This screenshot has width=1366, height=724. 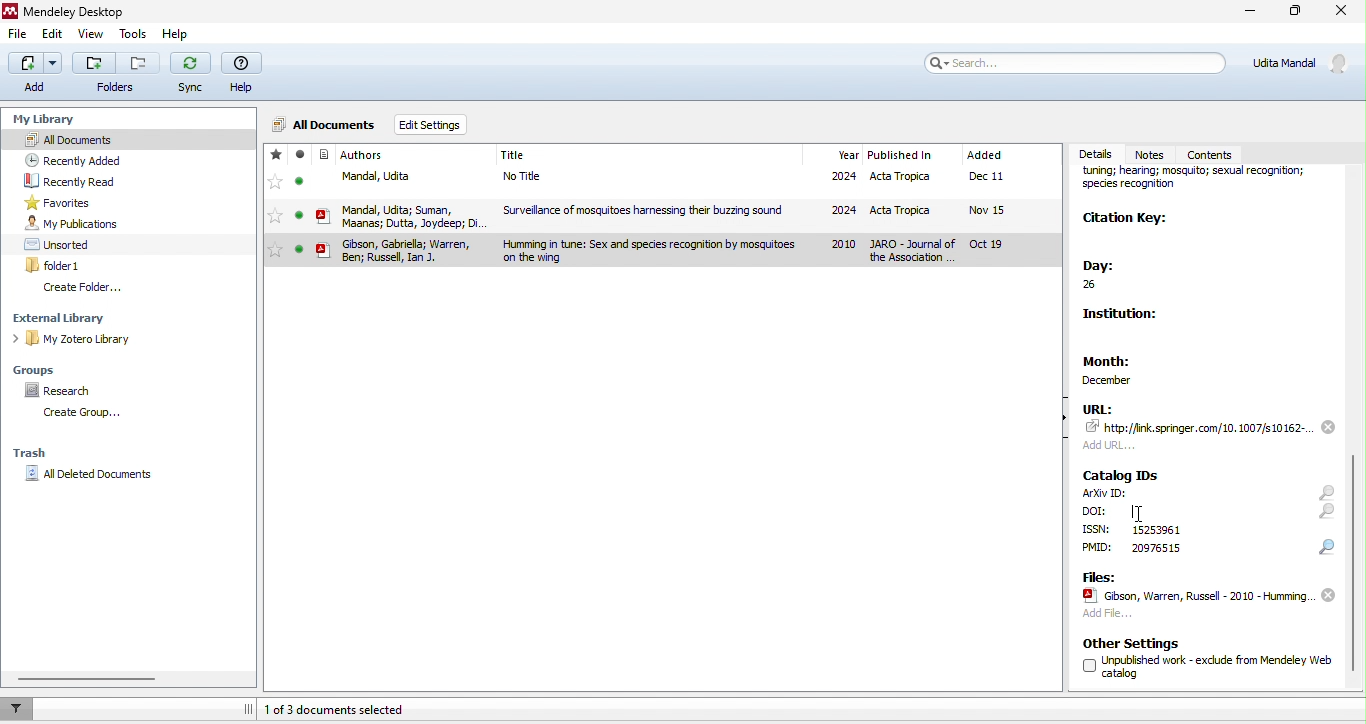 What do you see at coordinates (1328, 426) in the screenshot?
I see `remove` at bounding box center [1328, 426].